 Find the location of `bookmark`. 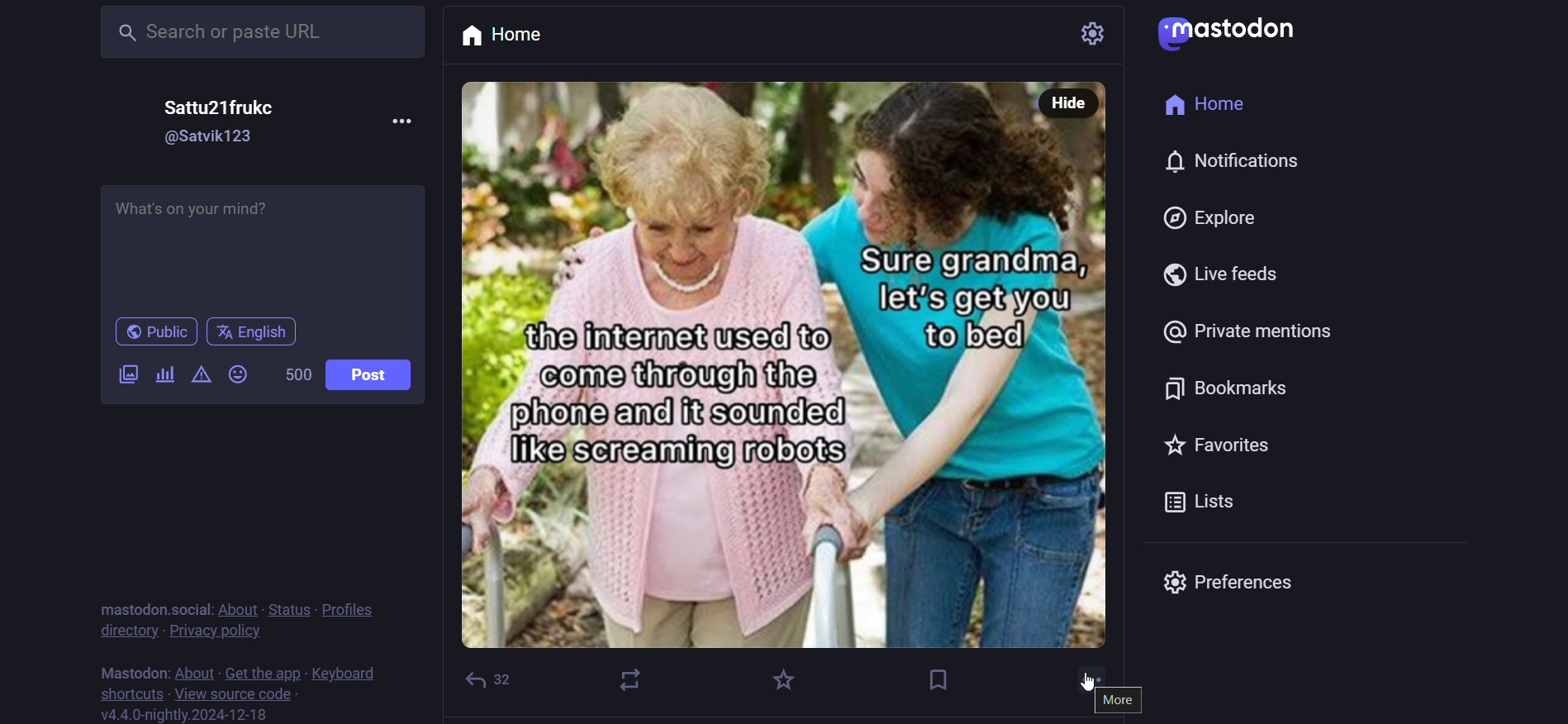

bookmark is located at coordinates (938, 676).